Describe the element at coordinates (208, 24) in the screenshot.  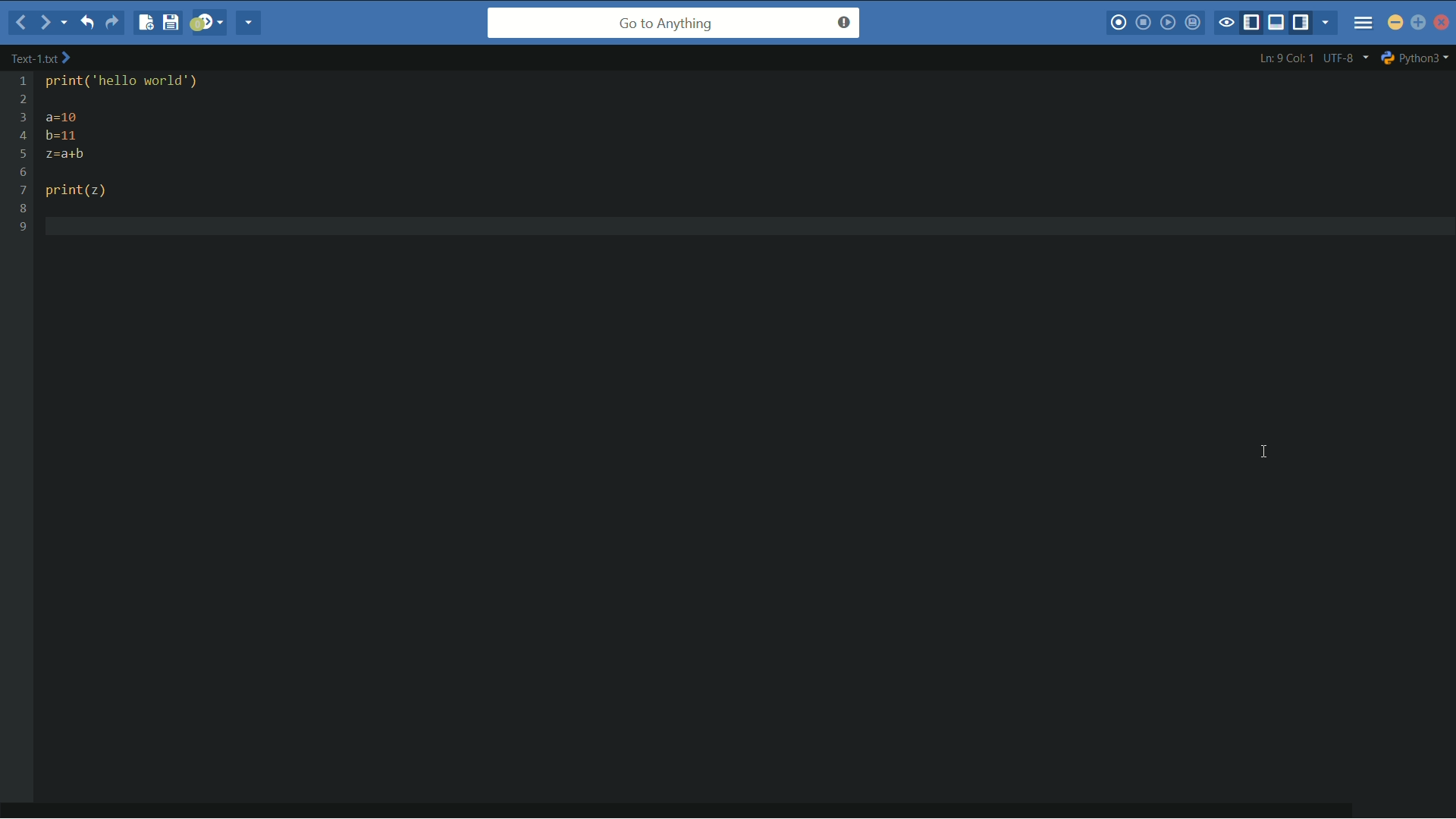
I see `jump to next syntax checking result` at that location.